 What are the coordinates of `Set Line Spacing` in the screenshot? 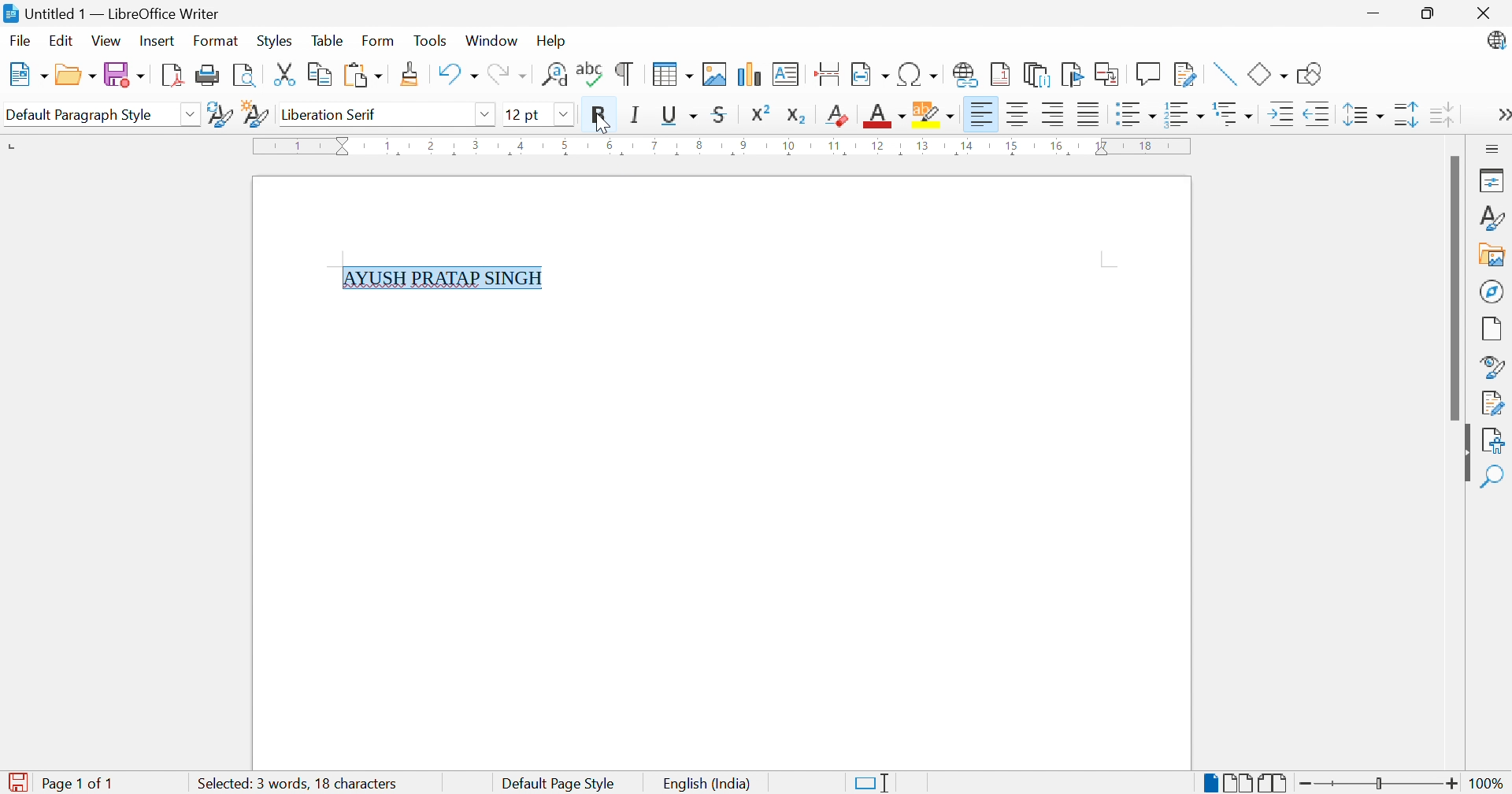 It's located at (1363, 116).